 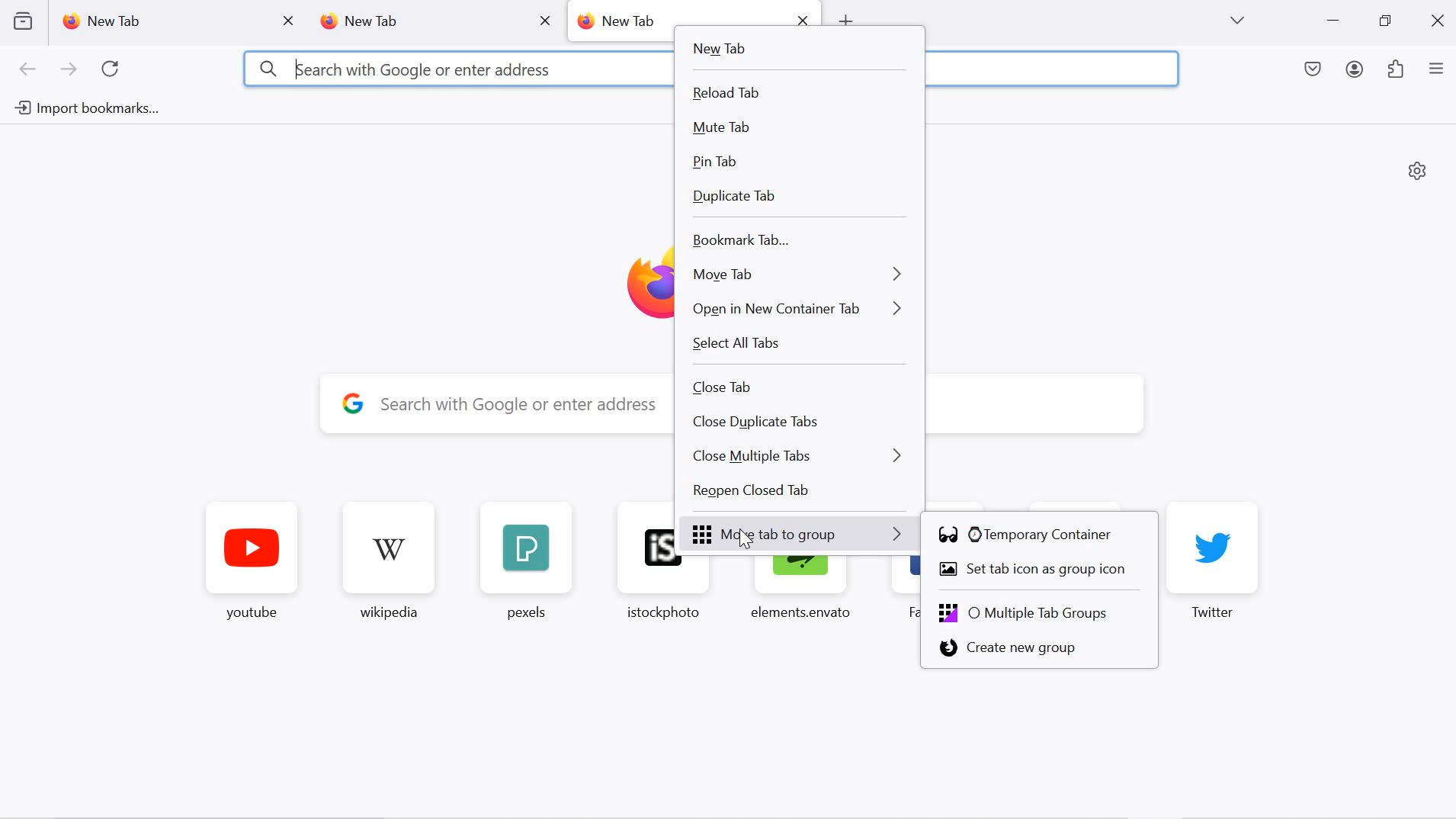 What do you see at coordinates (801, 386) in the screenshot?
I see `close tab` at bounding box center [801, 386].